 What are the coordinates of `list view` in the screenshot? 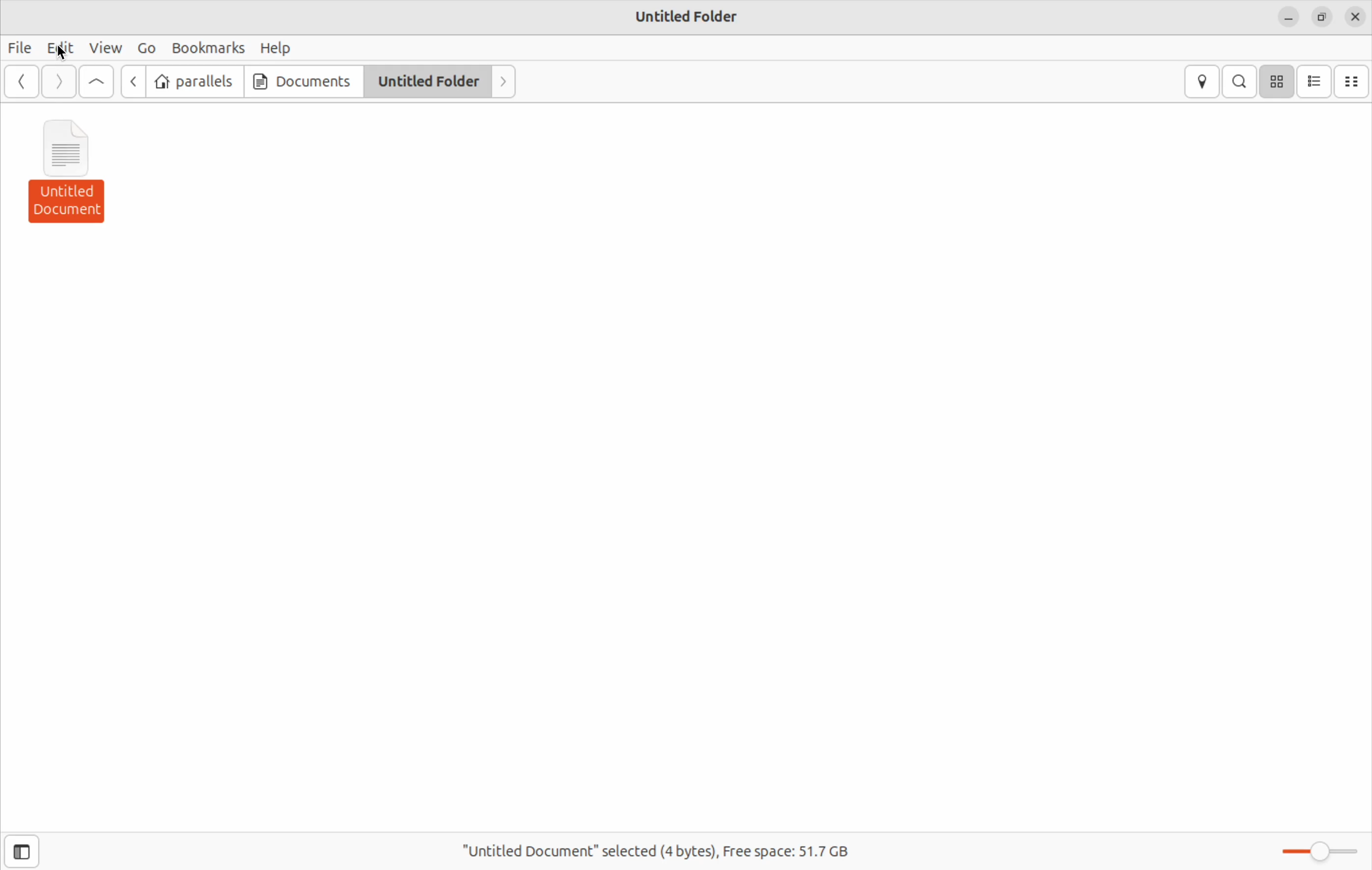 It's located at (1316, 81).